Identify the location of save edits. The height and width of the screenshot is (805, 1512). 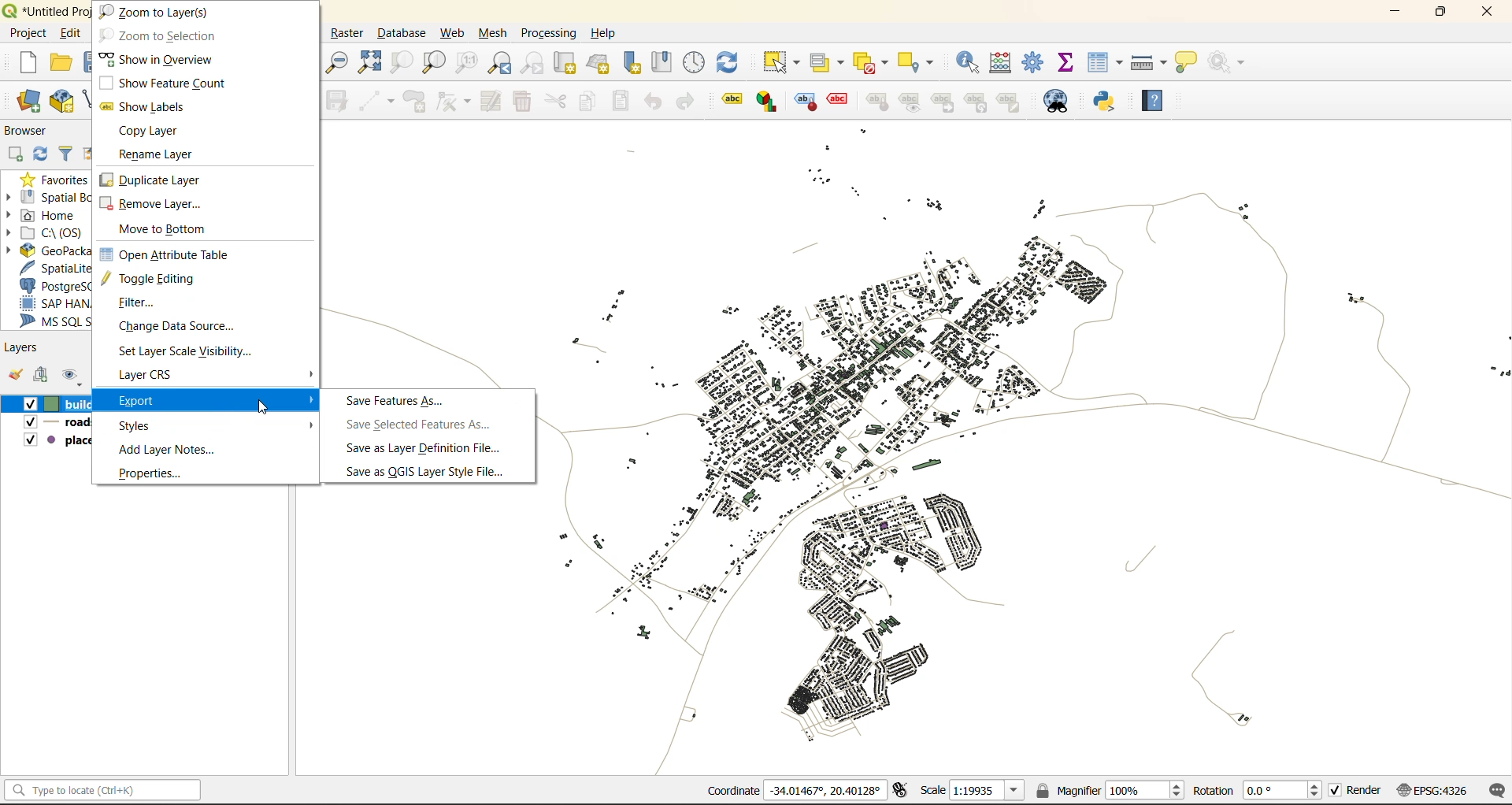
(336, 99).